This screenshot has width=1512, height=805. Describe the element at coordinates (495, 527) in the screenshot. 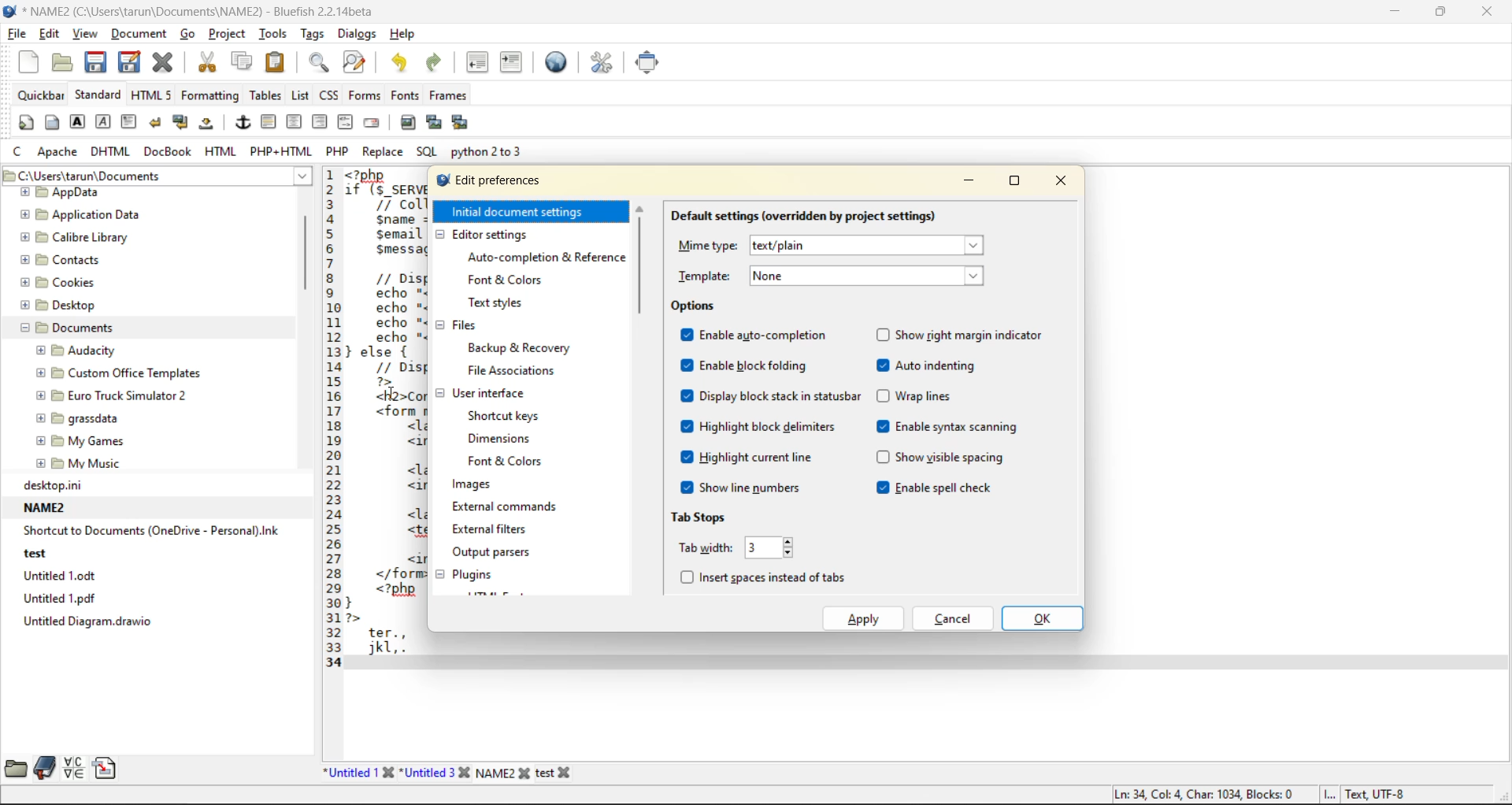

I see `external filters` at that location.